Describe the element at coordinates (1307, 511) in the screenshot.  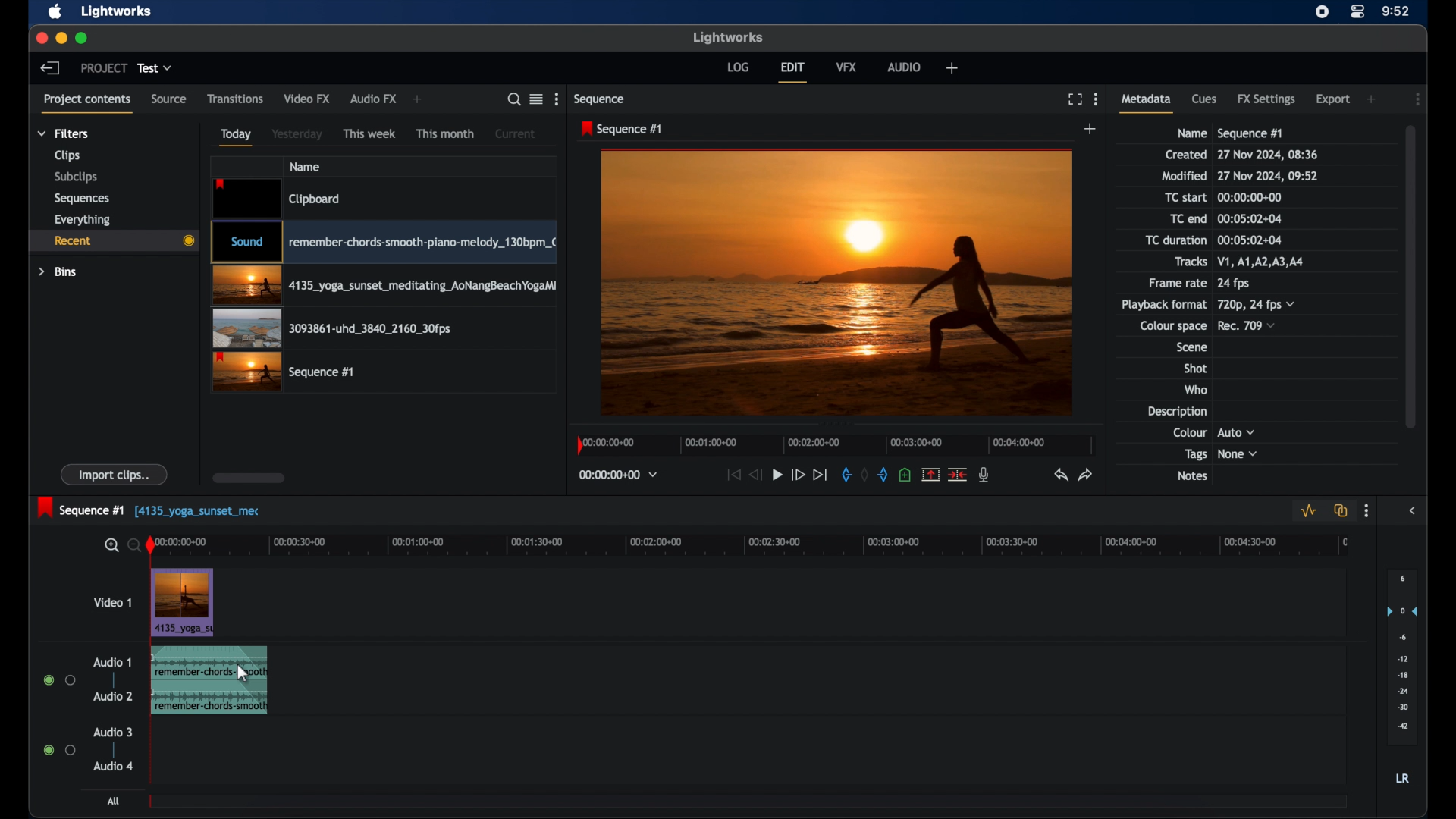
I see `toggle audio levels editing` at that location.